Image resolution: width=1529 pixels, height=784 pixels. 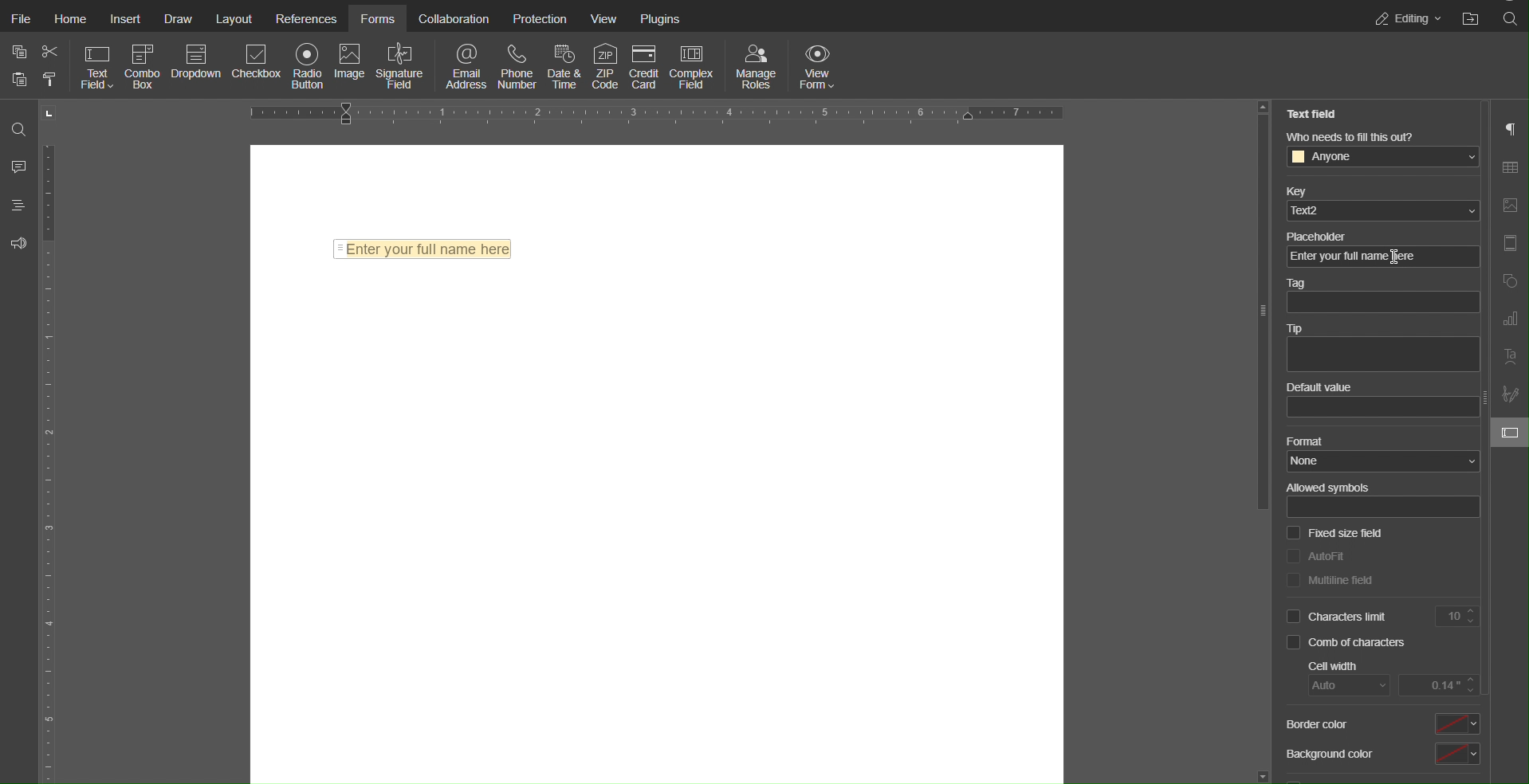 What do you see at coordinates (605, 19) in the screenshot?
I see `View` at bounding box center [605, 19].